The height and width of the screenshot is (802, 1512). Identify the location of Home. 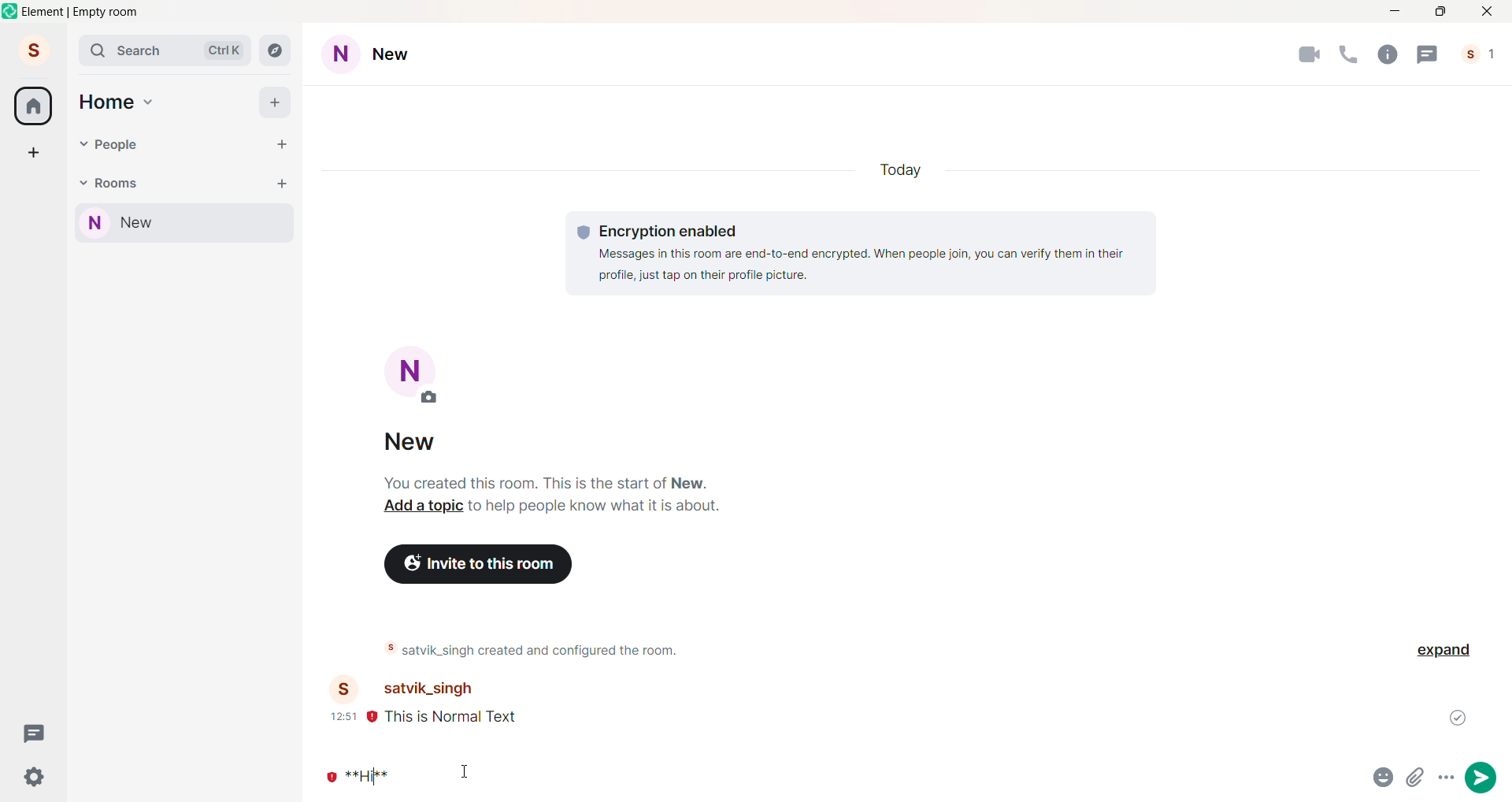
(106, 102).